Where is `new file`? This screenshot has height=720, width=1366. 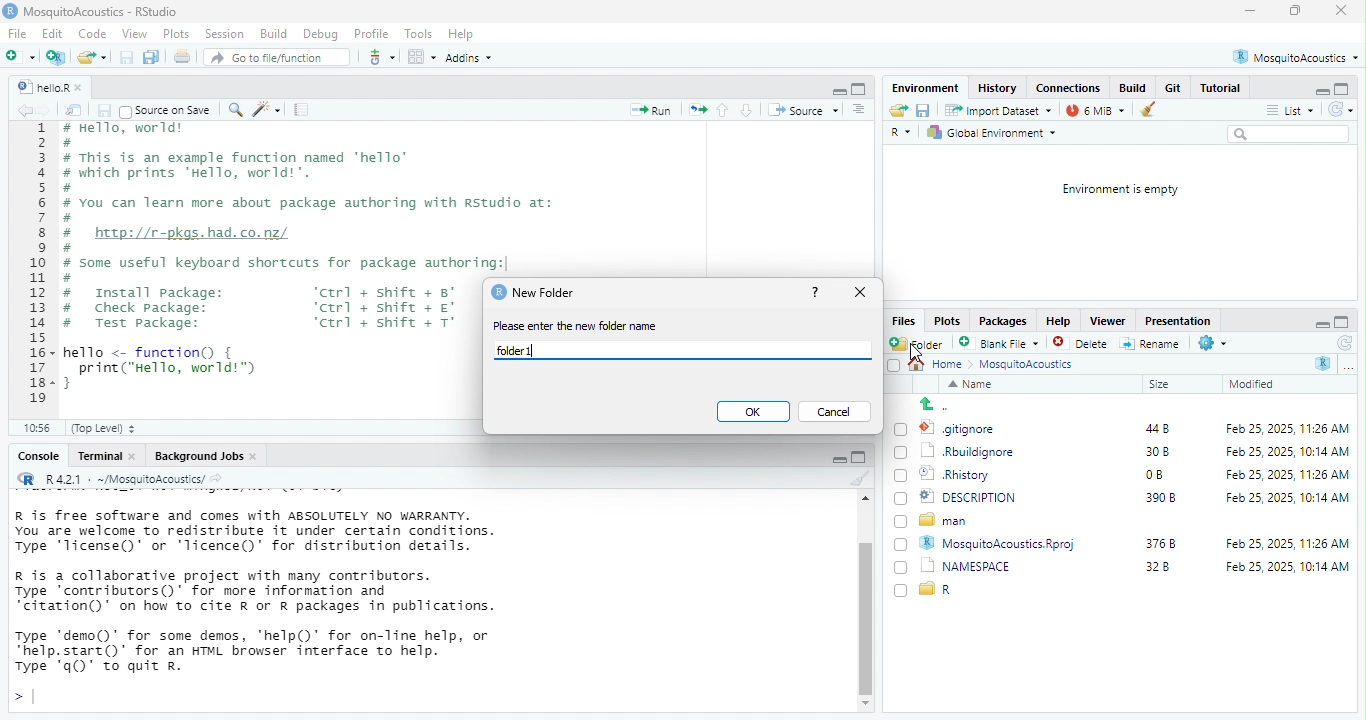 new file is located at coordinates (23, 56).